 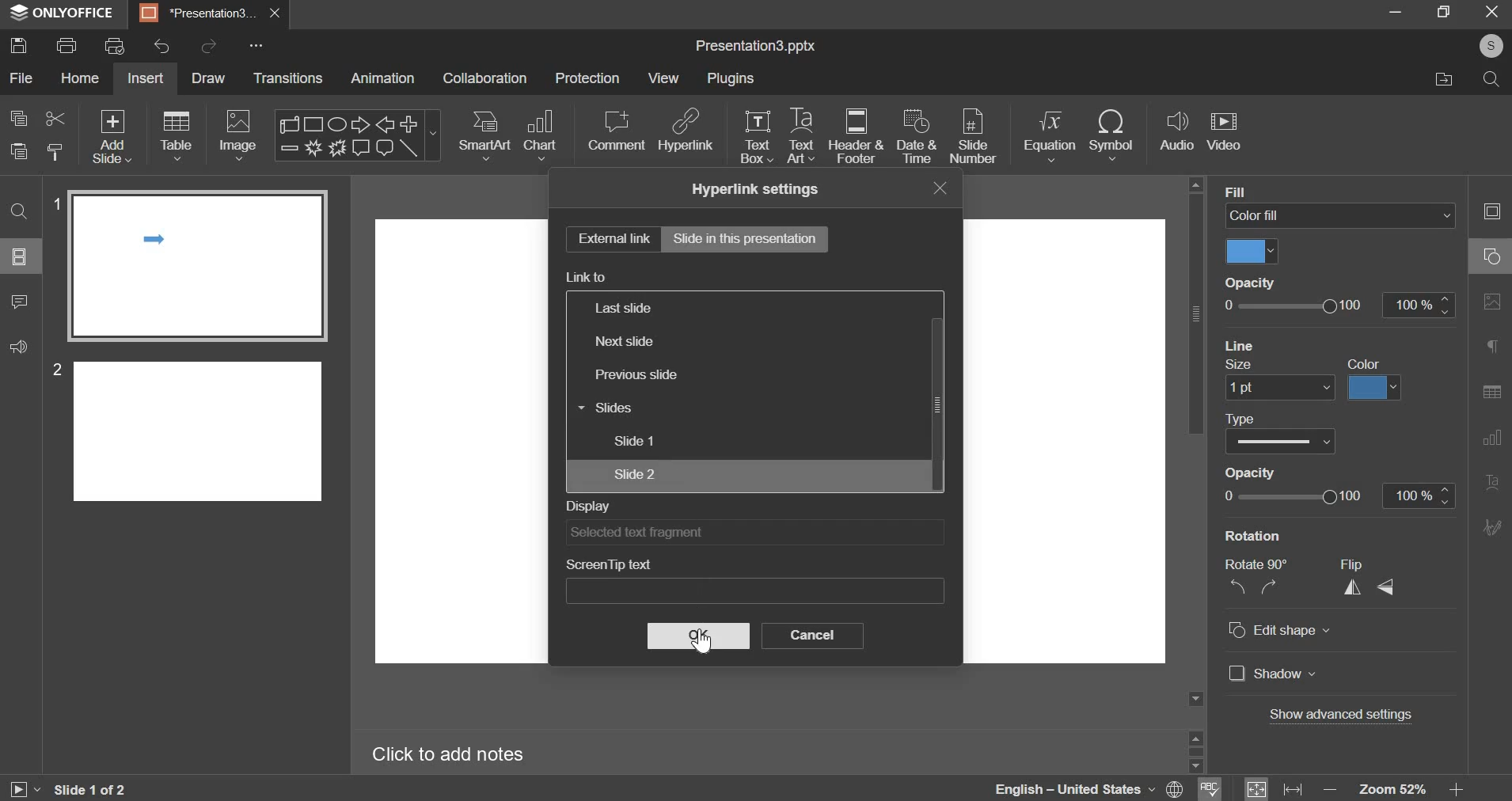 I want to click on opacity from 0 to 100, so click(x=1293, y=495).